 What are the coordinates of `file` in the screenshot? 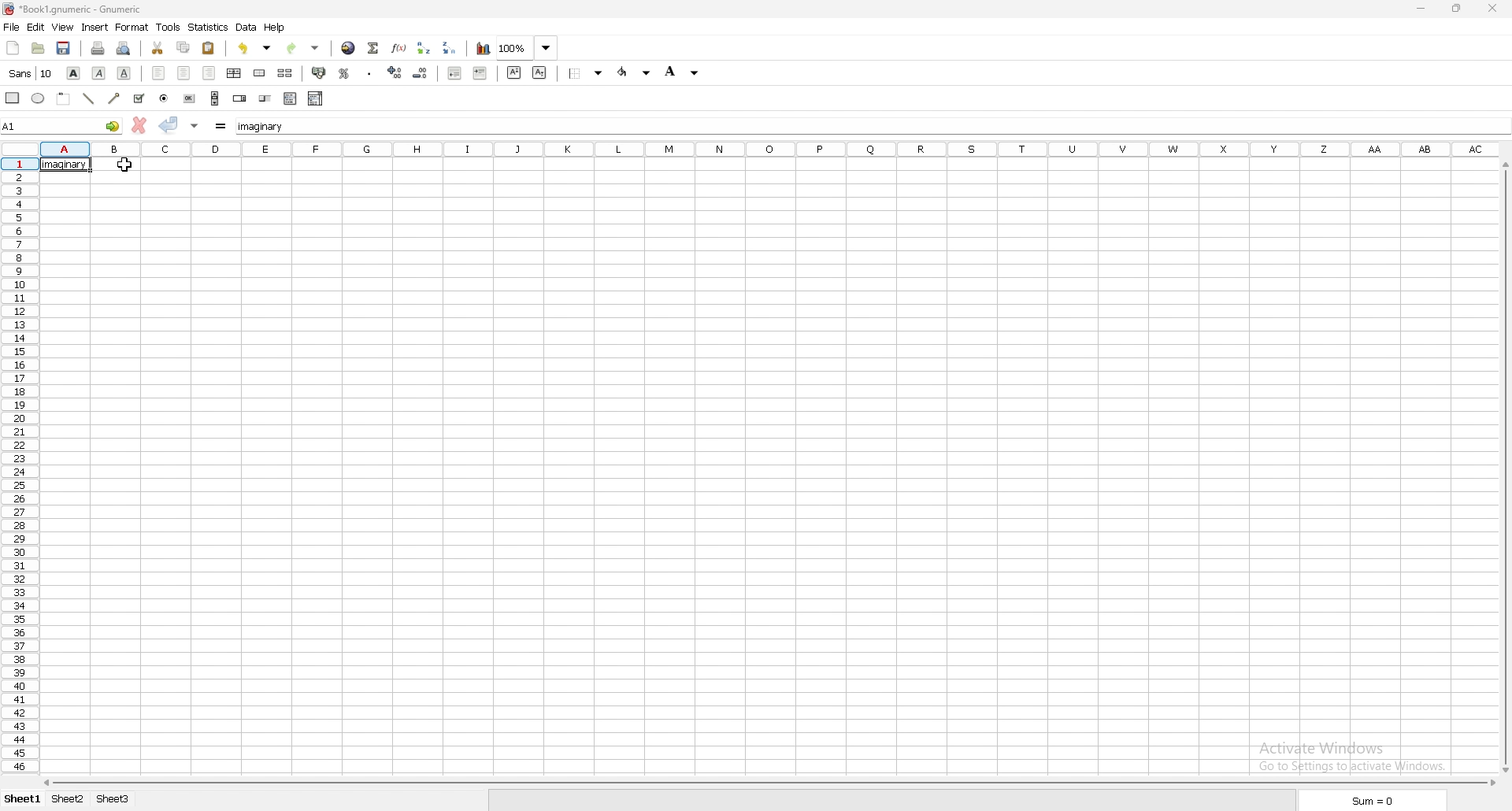 It's located at (12, 27).